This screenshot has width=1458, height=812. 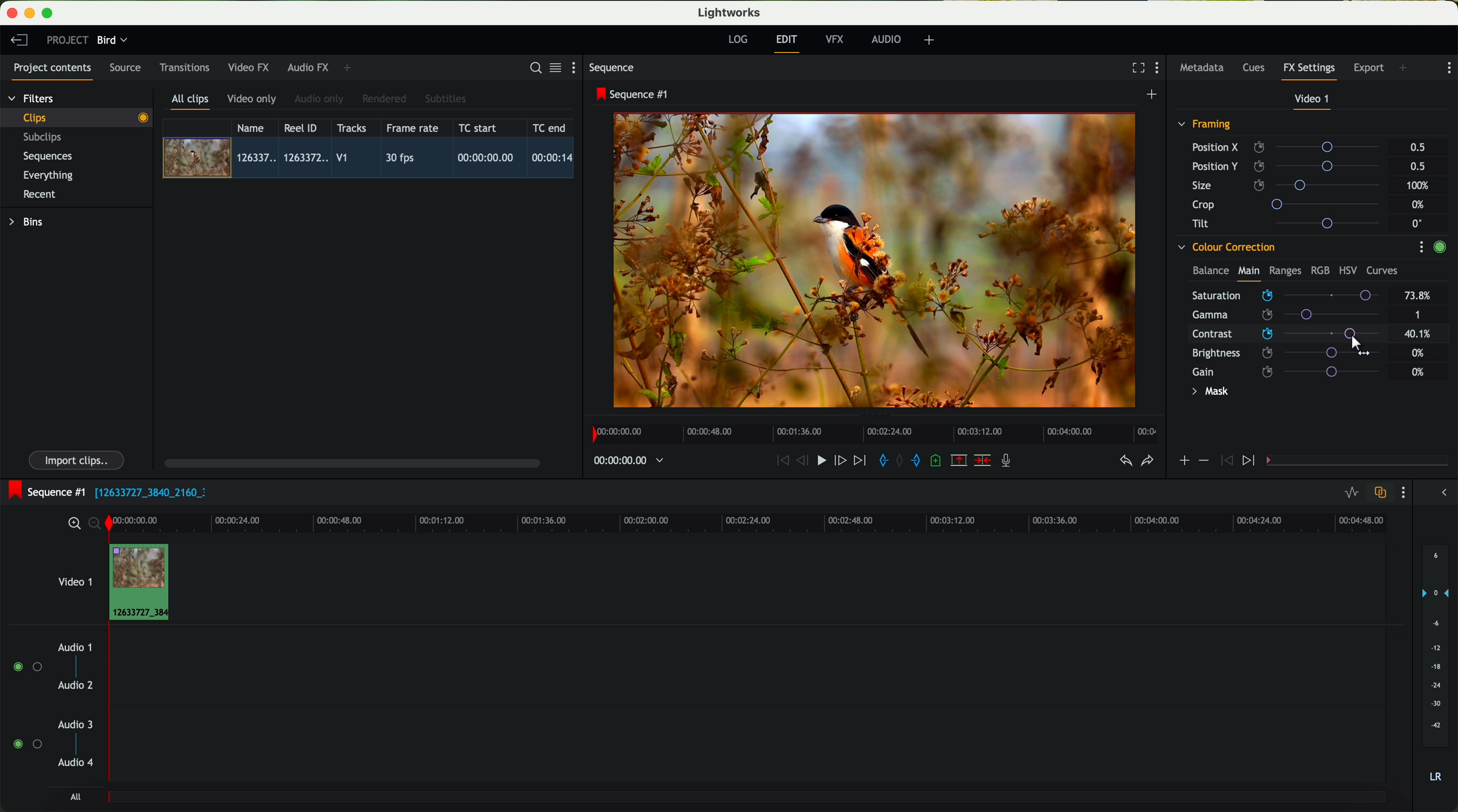 I want to click on Reel ID, so click(x=303, y=127).